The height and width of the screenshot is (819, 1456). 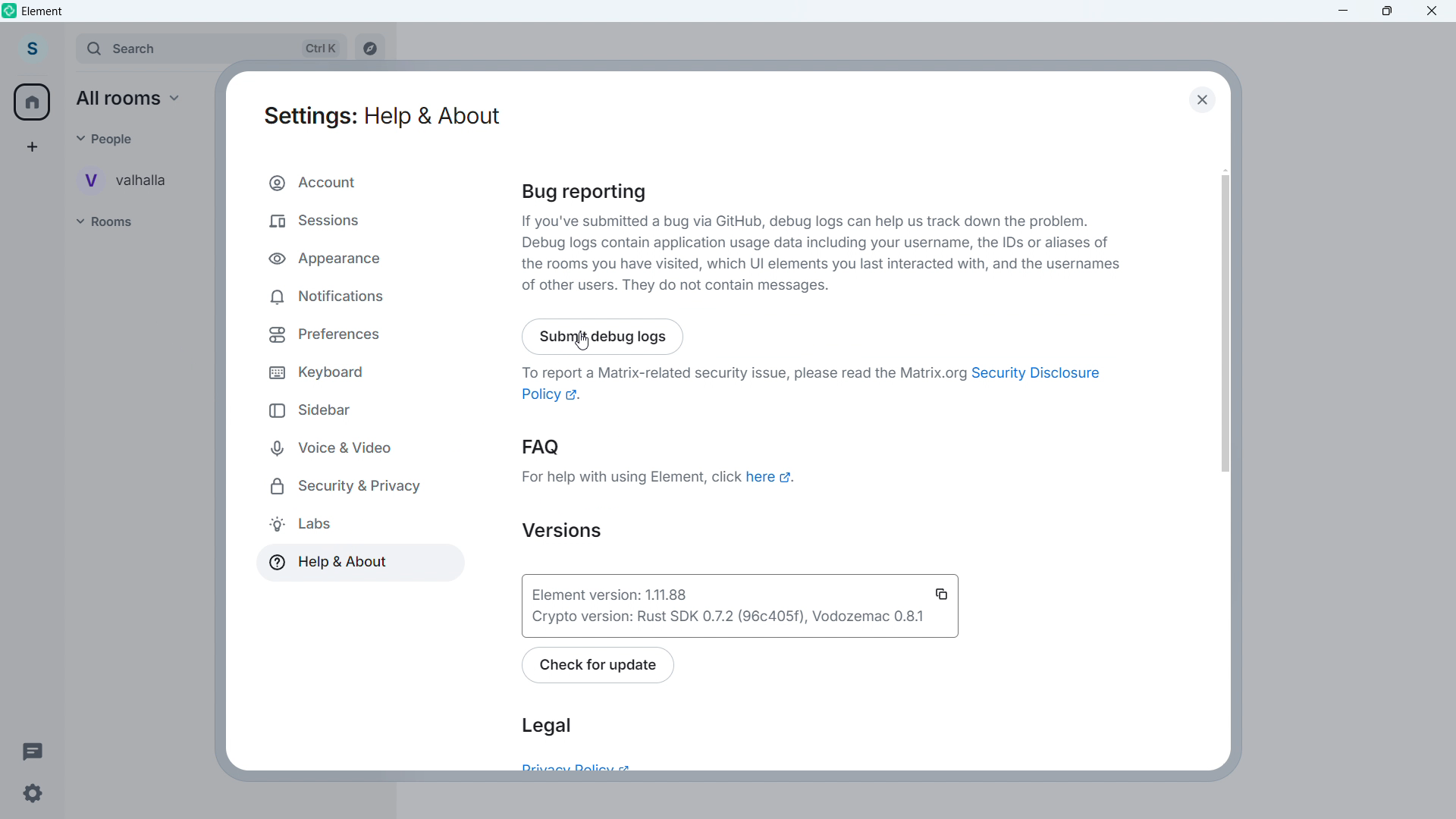 What do you see at coordinates (209, 49) in the screenshot?
I see `search ` at bounding box center [209, 49].